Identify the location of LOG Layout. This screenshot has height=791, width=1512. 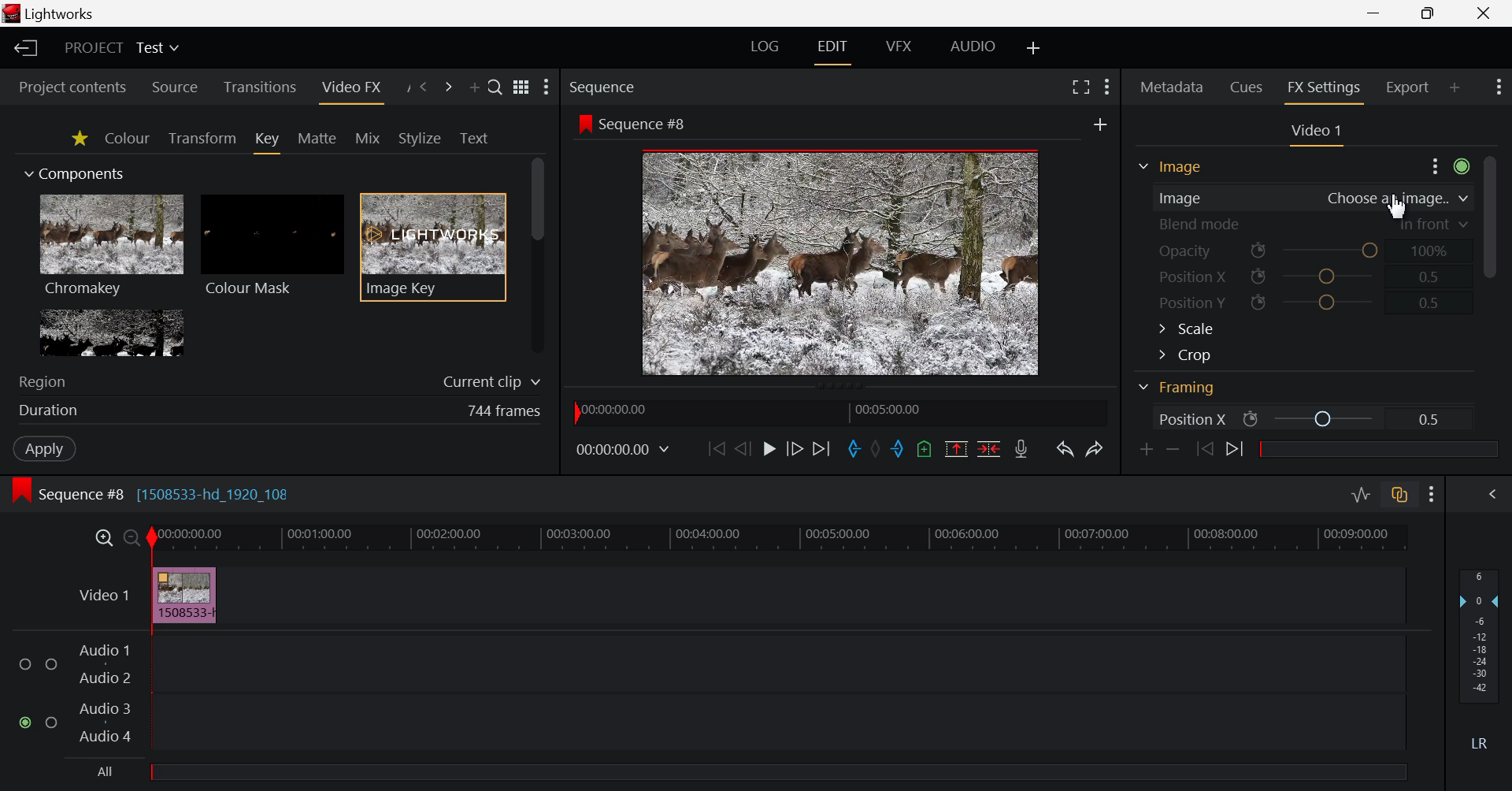
(769, 47).